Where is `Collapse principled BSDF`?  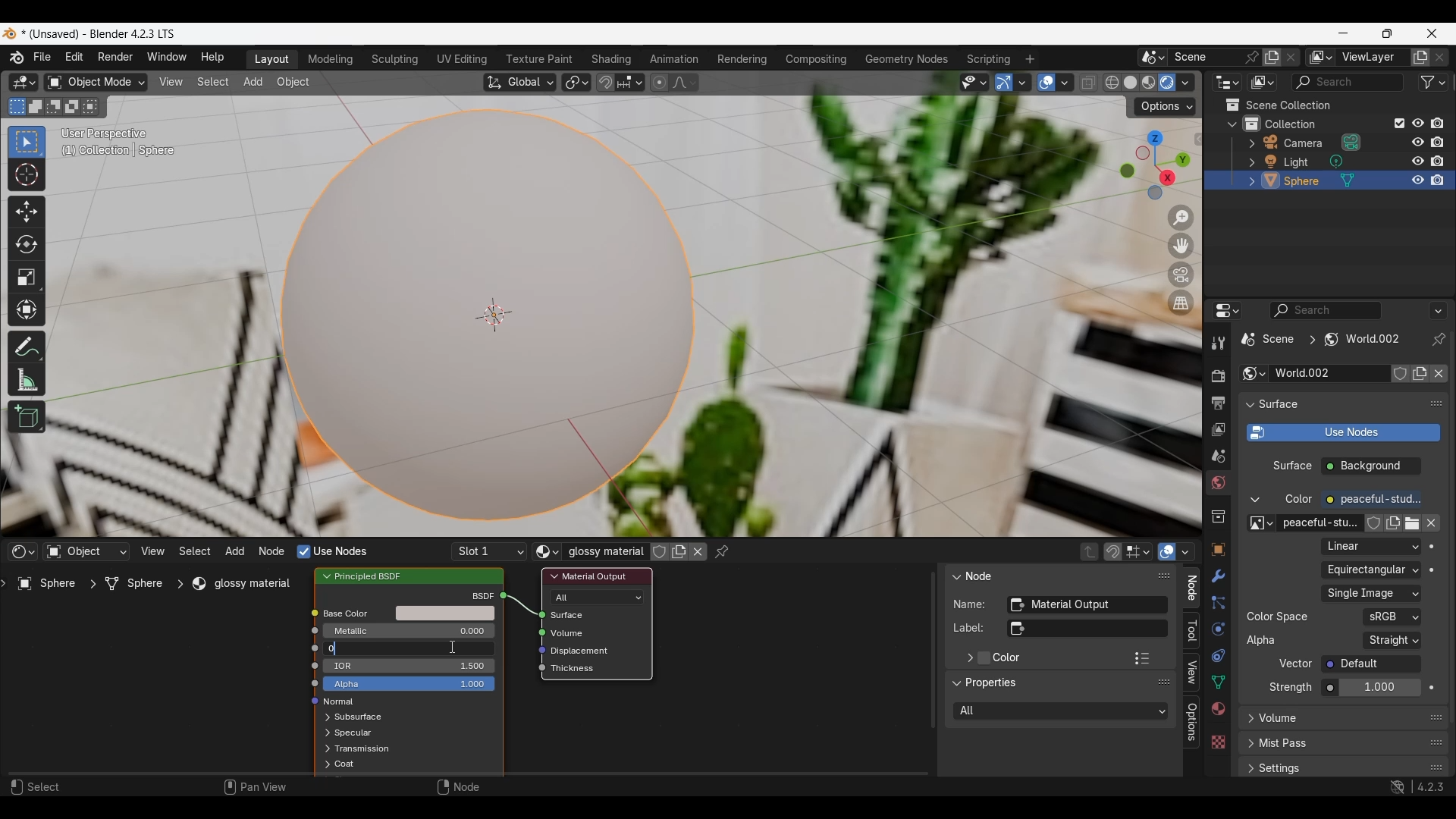 Collapse principled BSDF is located at coordinates (327, 576).